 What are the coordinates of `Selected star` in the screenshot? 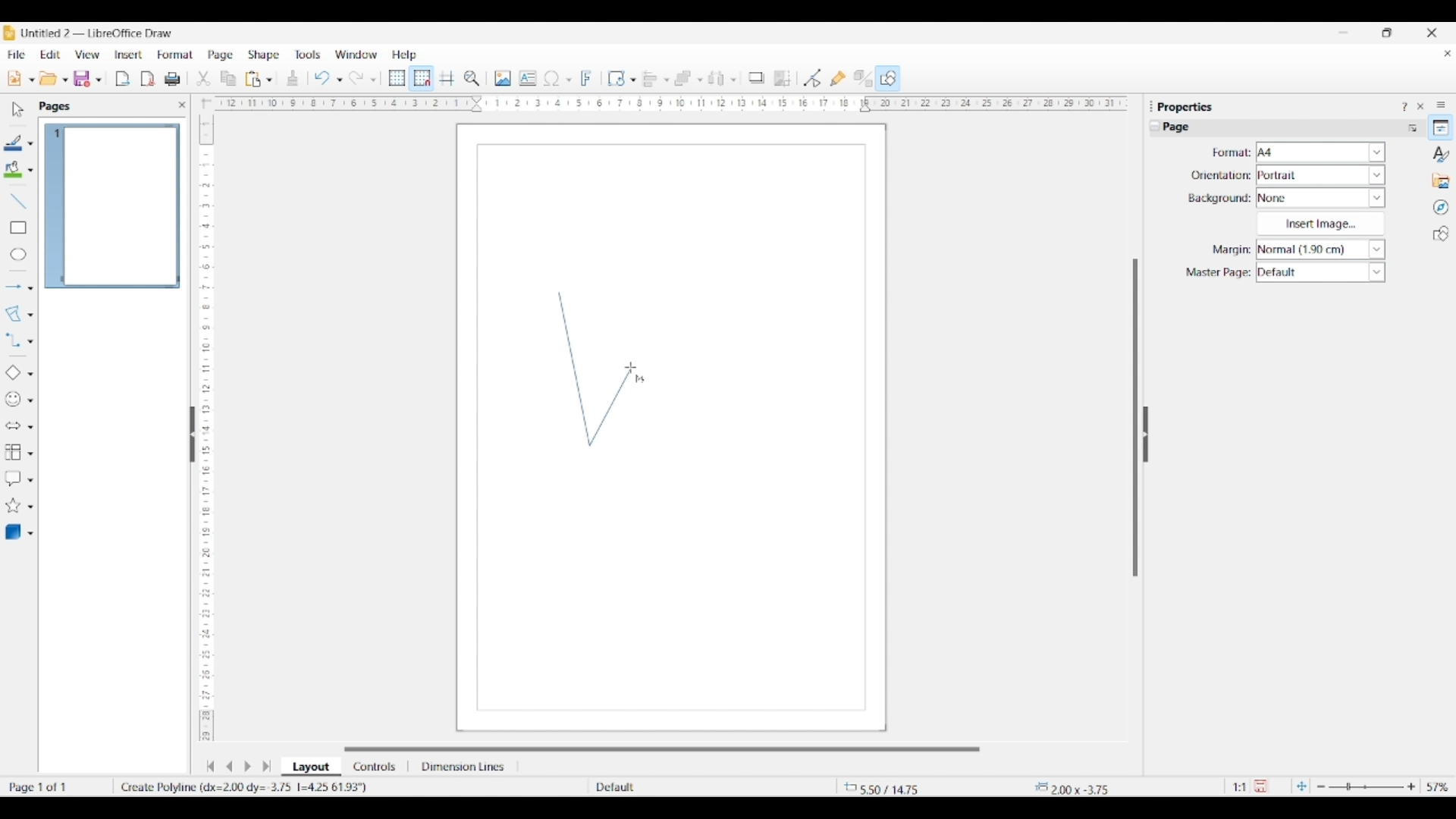 It's located at (13, 506).